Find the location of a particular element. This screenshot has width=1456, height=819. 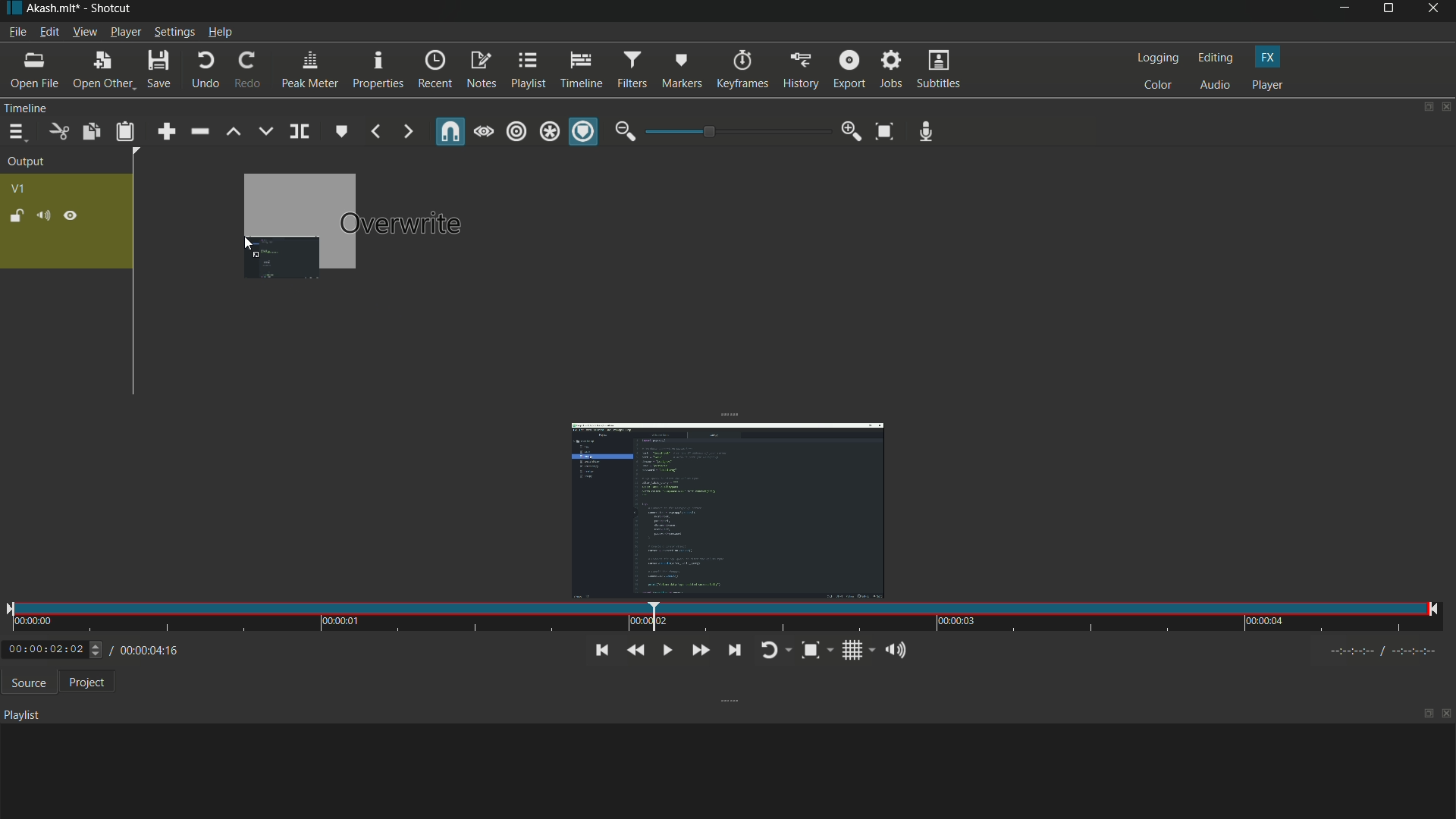

help menu is located at coordinates (221, 32).